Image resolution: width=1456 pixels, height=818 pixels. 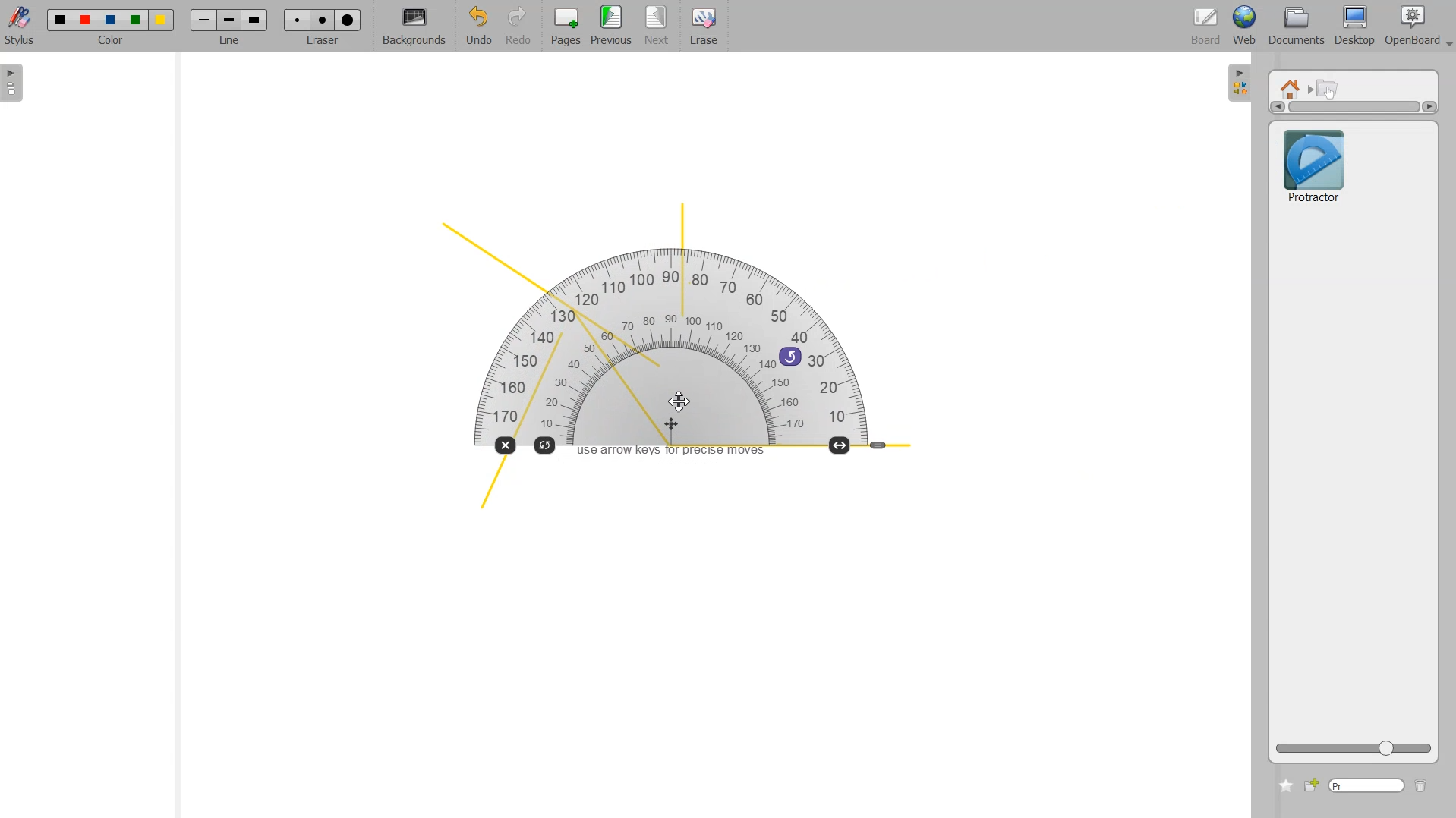 What do you see at coordinates (1366, 786) in the screenshot?
I see `Type window` at bounding box center [1366, 786].